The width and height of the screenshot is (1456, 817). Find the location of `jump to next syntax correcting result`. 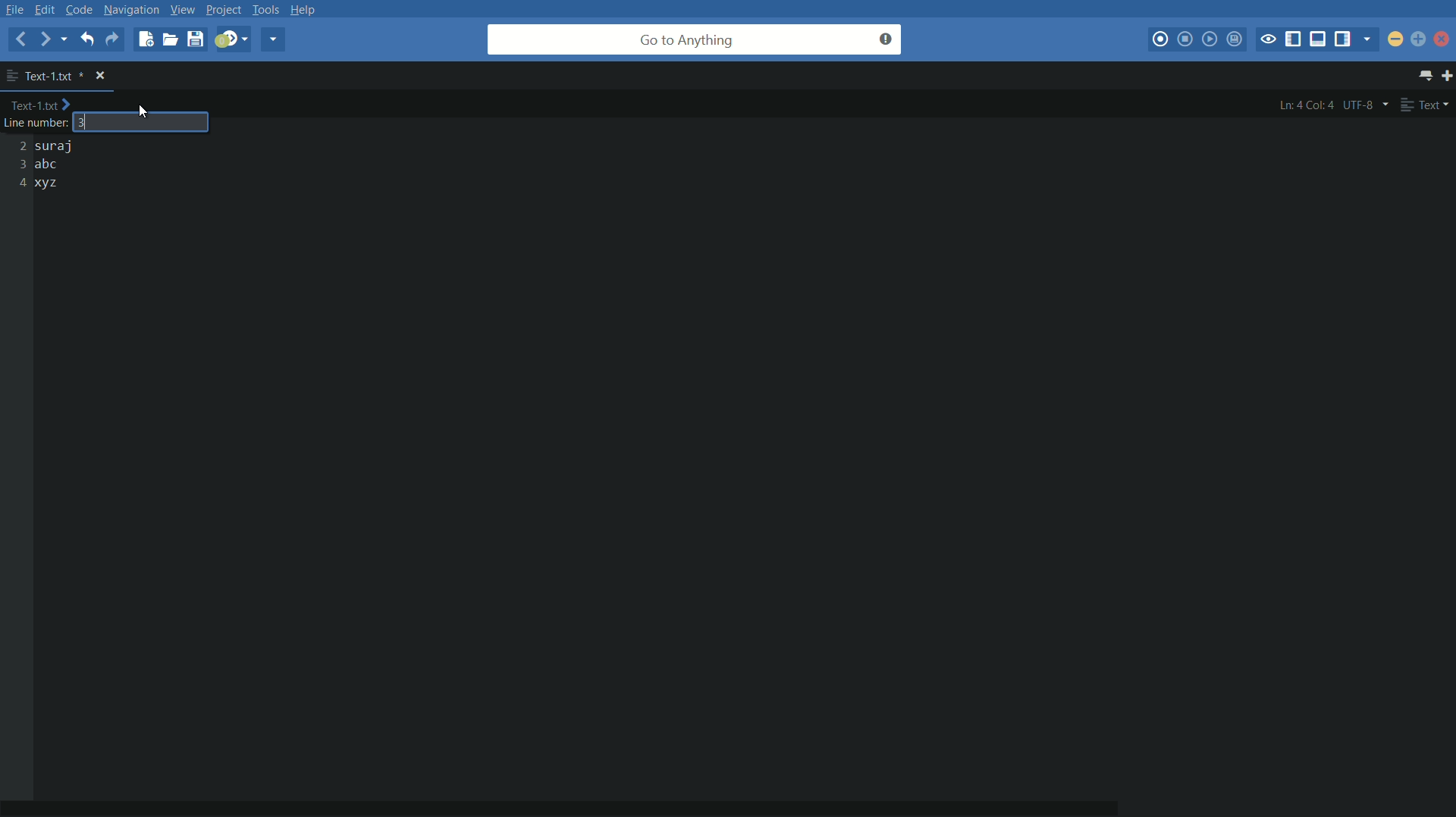

jump to next syntax correcting result is located at coordinates (231, 39).